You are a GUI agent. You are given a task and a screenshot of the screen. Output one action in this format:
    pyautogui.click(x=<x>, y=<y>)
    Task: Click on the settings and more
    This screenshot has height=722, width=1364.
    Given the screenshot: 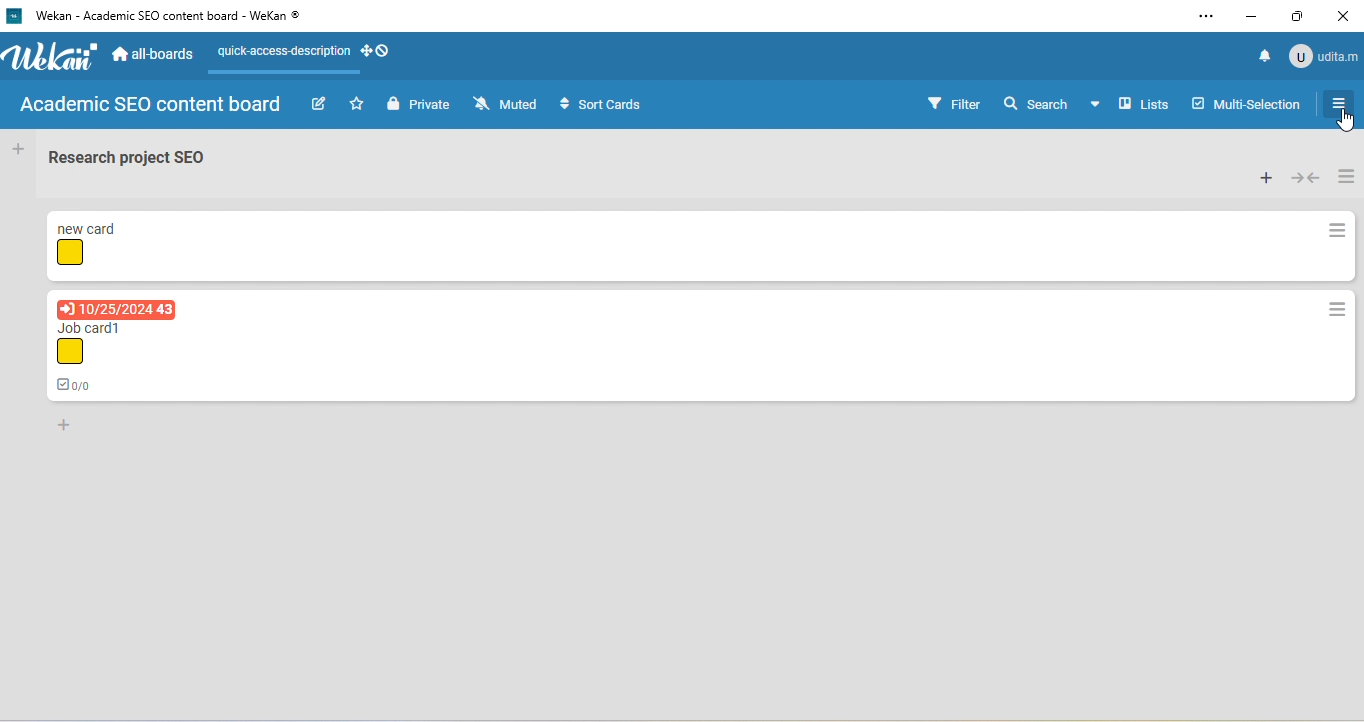 What is the action you would take?
    pyautogui.click(x=1204, y=18)
    